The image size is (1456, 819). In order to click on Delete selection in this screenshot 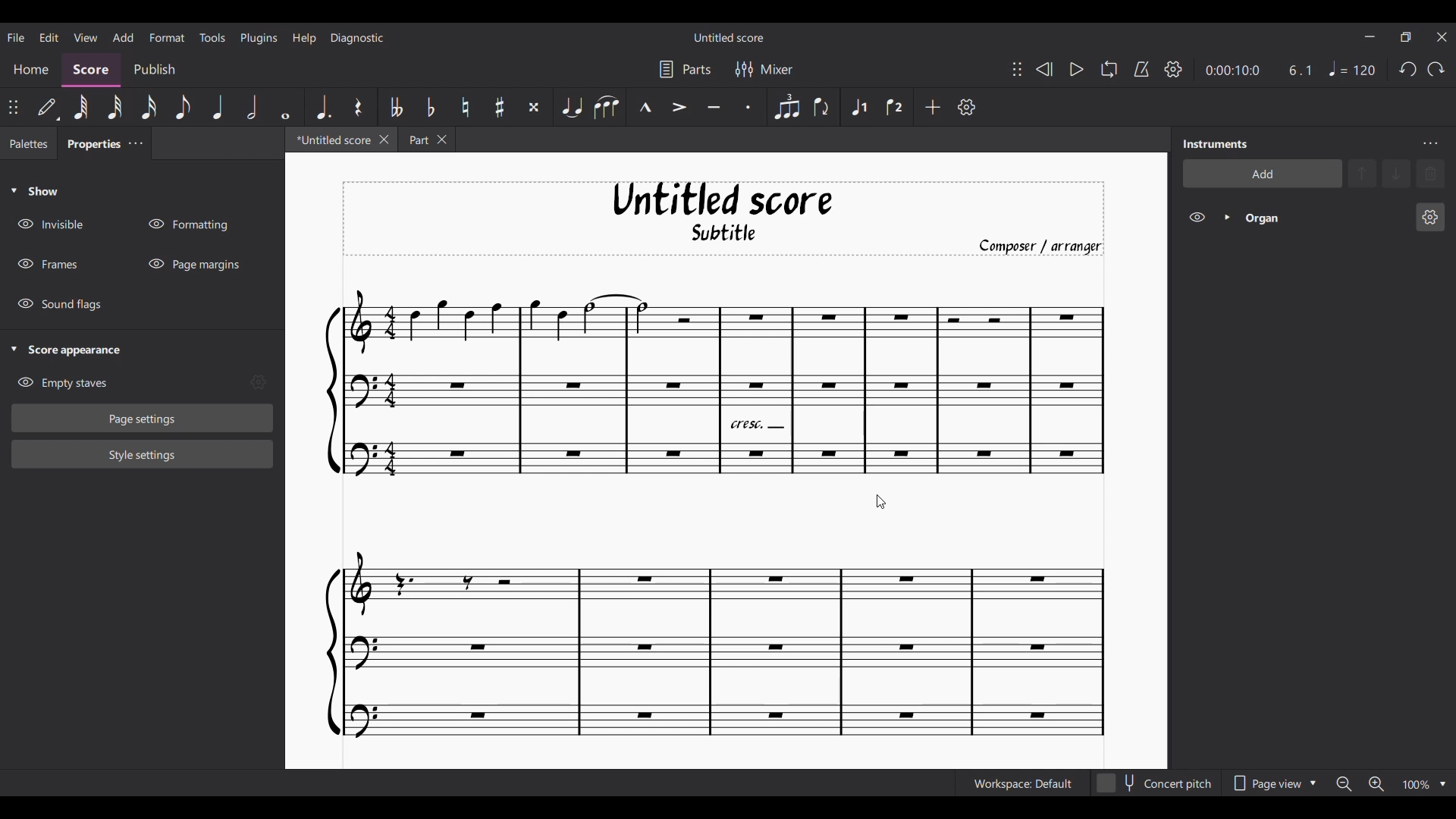, I will do `click(1430, 174)`.